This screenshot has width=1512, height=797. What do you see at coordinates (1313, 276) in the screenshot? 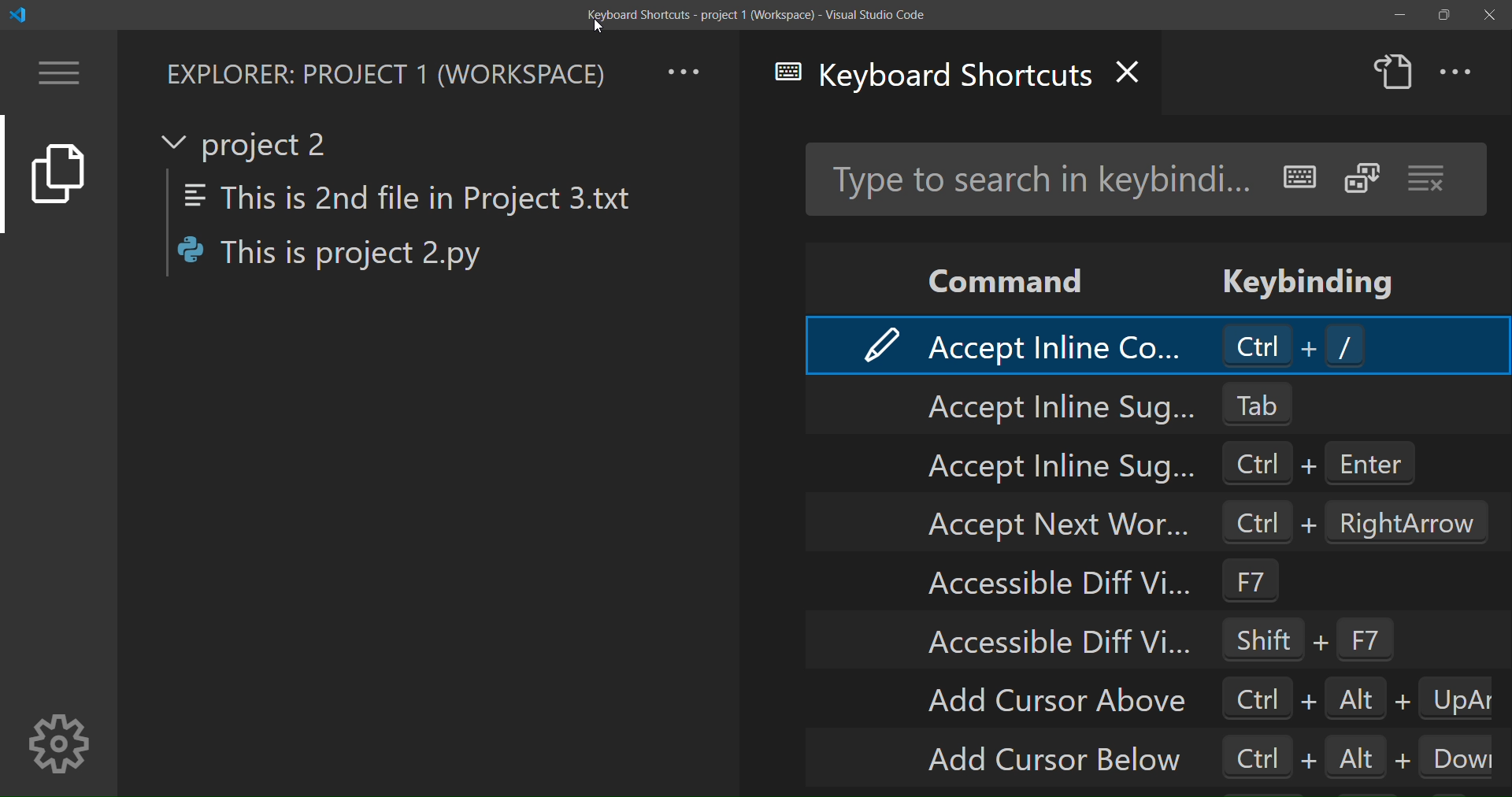
I see `keybindings` at bounding box center [1313, 276].